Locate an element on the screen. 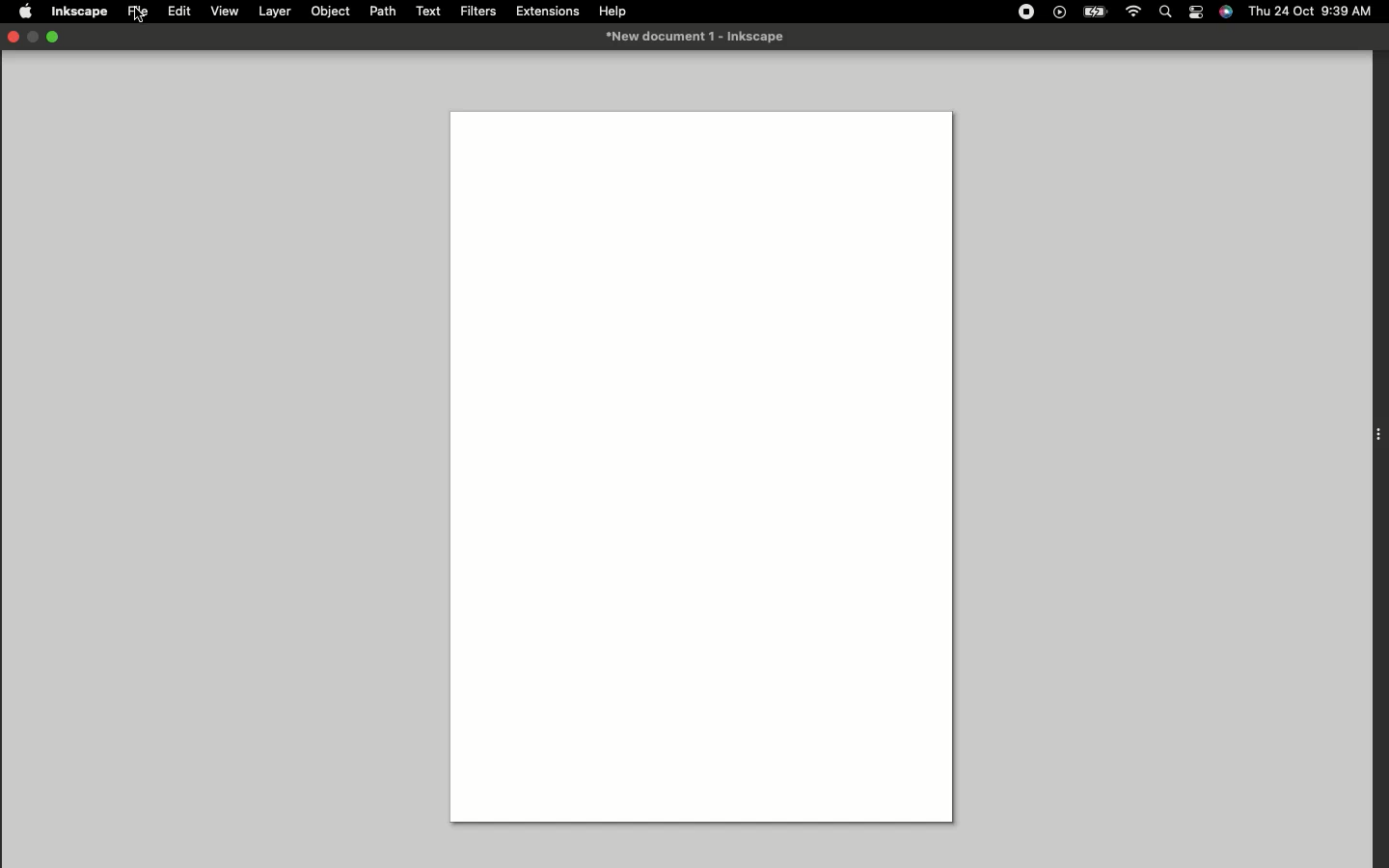 This screenshot has width=1389, height=868. Video player is located at coordinates (1061, 14).